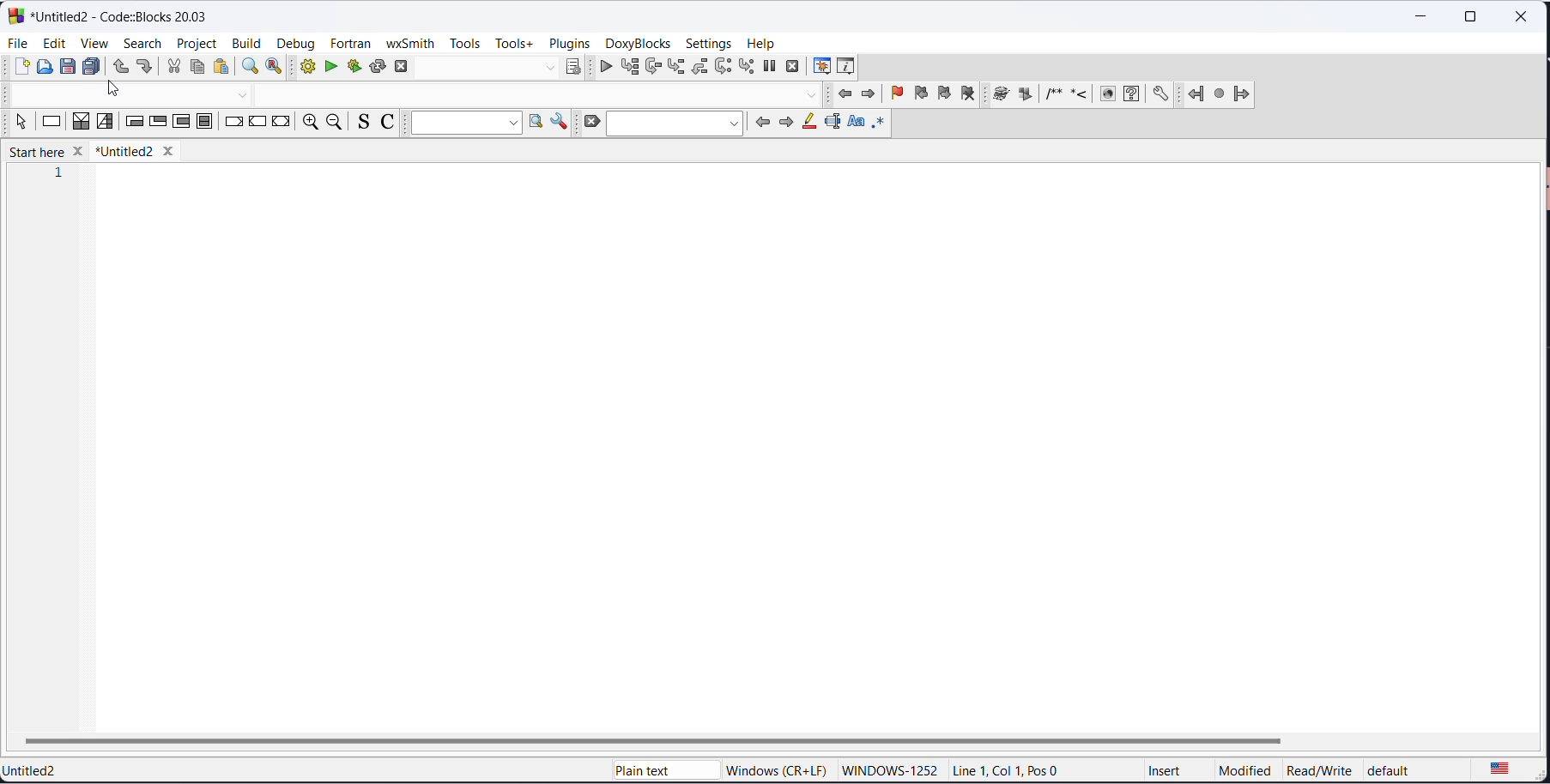  I want to click on paste, so click(221, 67).